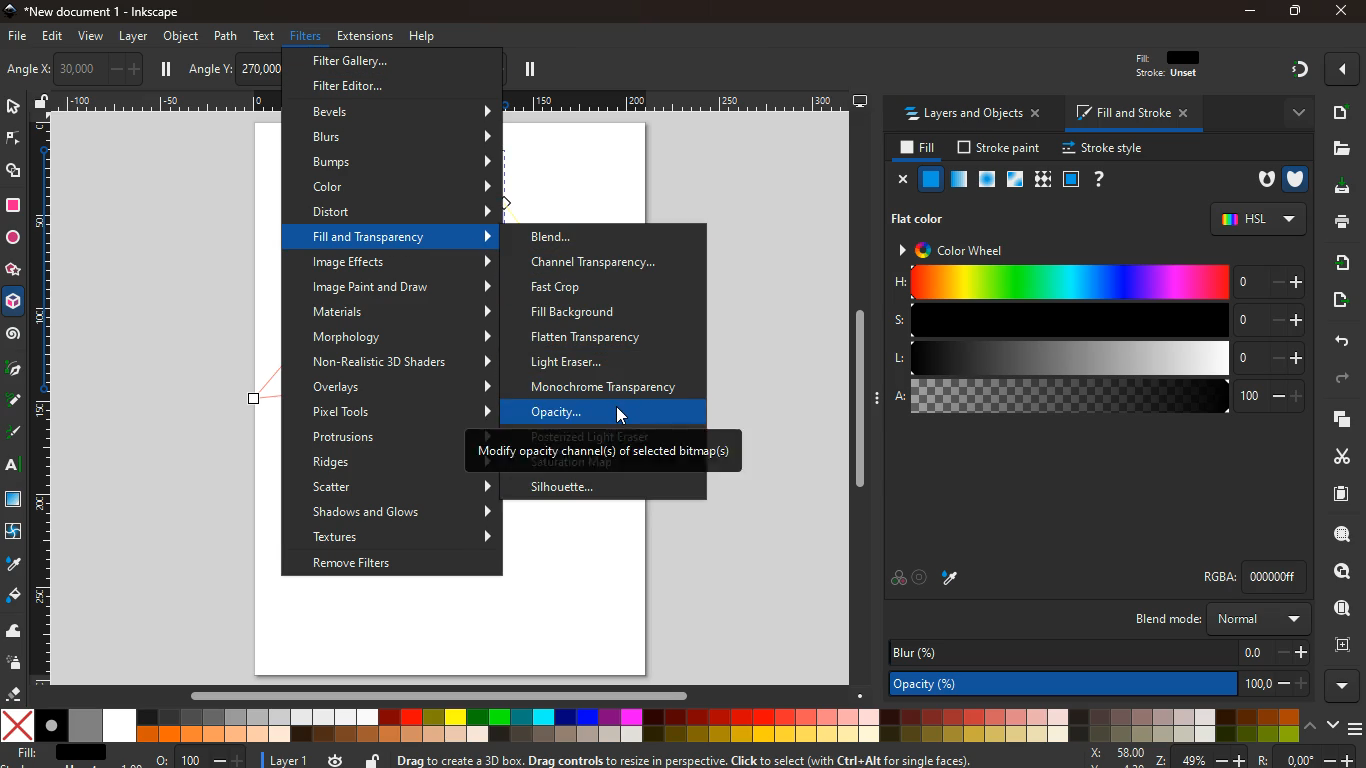 Image resolution: width=1366 pixels, height=768 pixels. What do you see at coordinates (1340, 112) in the screenshot?
I see `new` at bounding box center [1340, 112].